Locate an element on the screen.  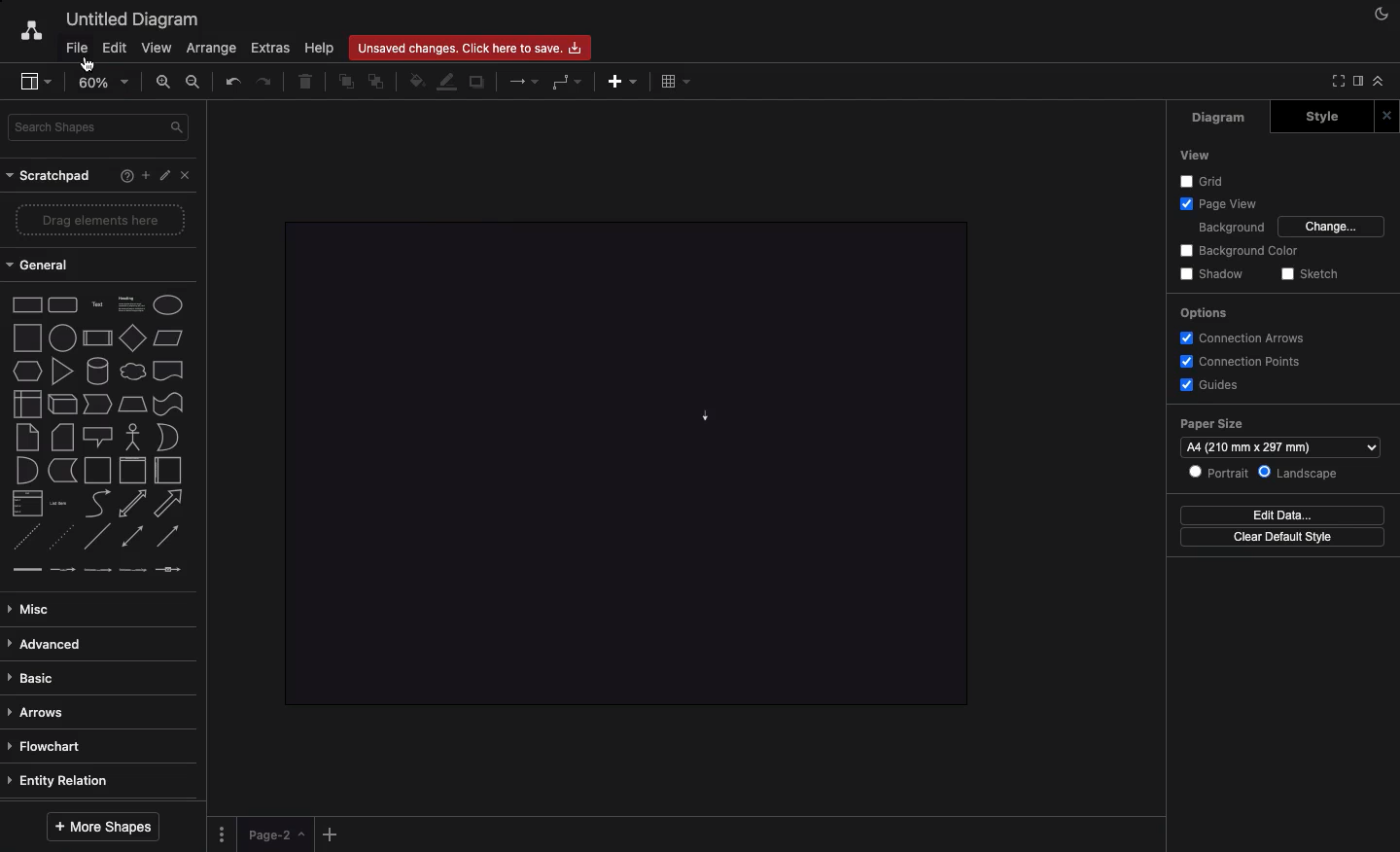
Edit is located at coordinates (163, 175).